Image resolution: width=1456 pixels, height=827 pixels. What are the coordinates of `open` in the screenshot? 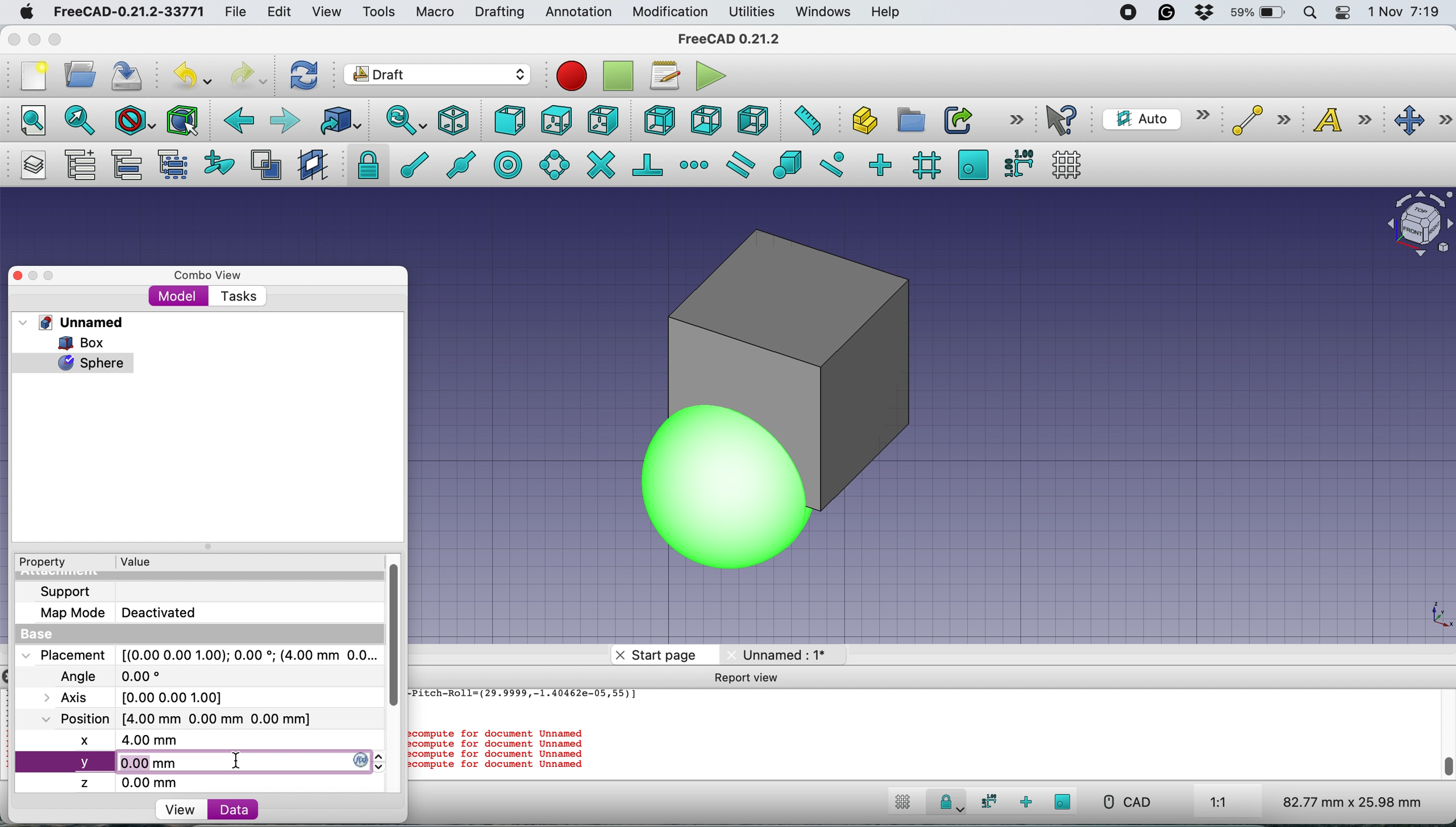 It's located at (85, 74).